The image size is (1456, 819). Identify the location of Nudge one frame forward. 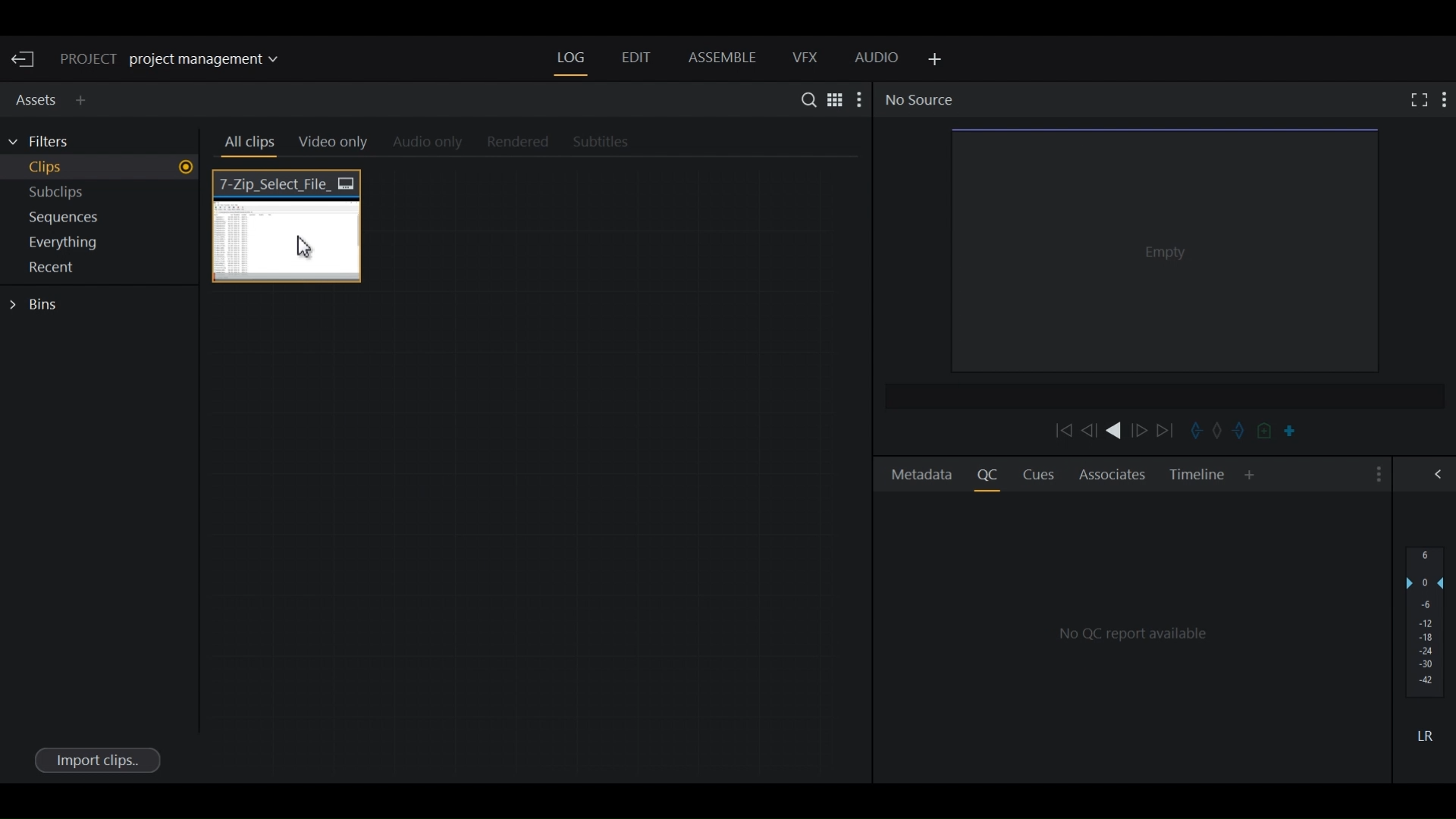
(1141, 431).